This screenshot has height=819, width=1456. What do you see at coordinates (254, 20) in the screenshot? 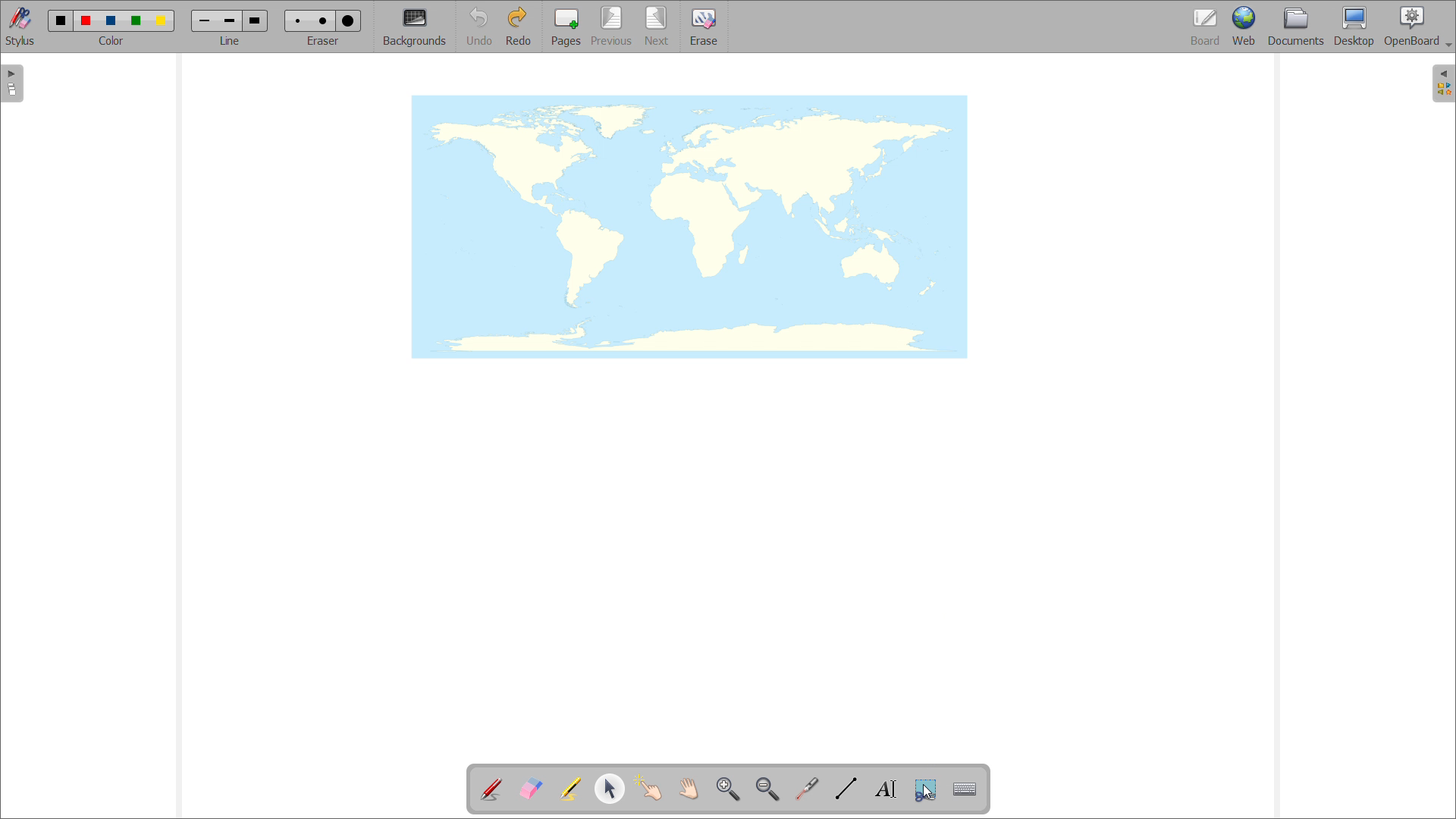
I see `large` at bounding box center [254, 20].